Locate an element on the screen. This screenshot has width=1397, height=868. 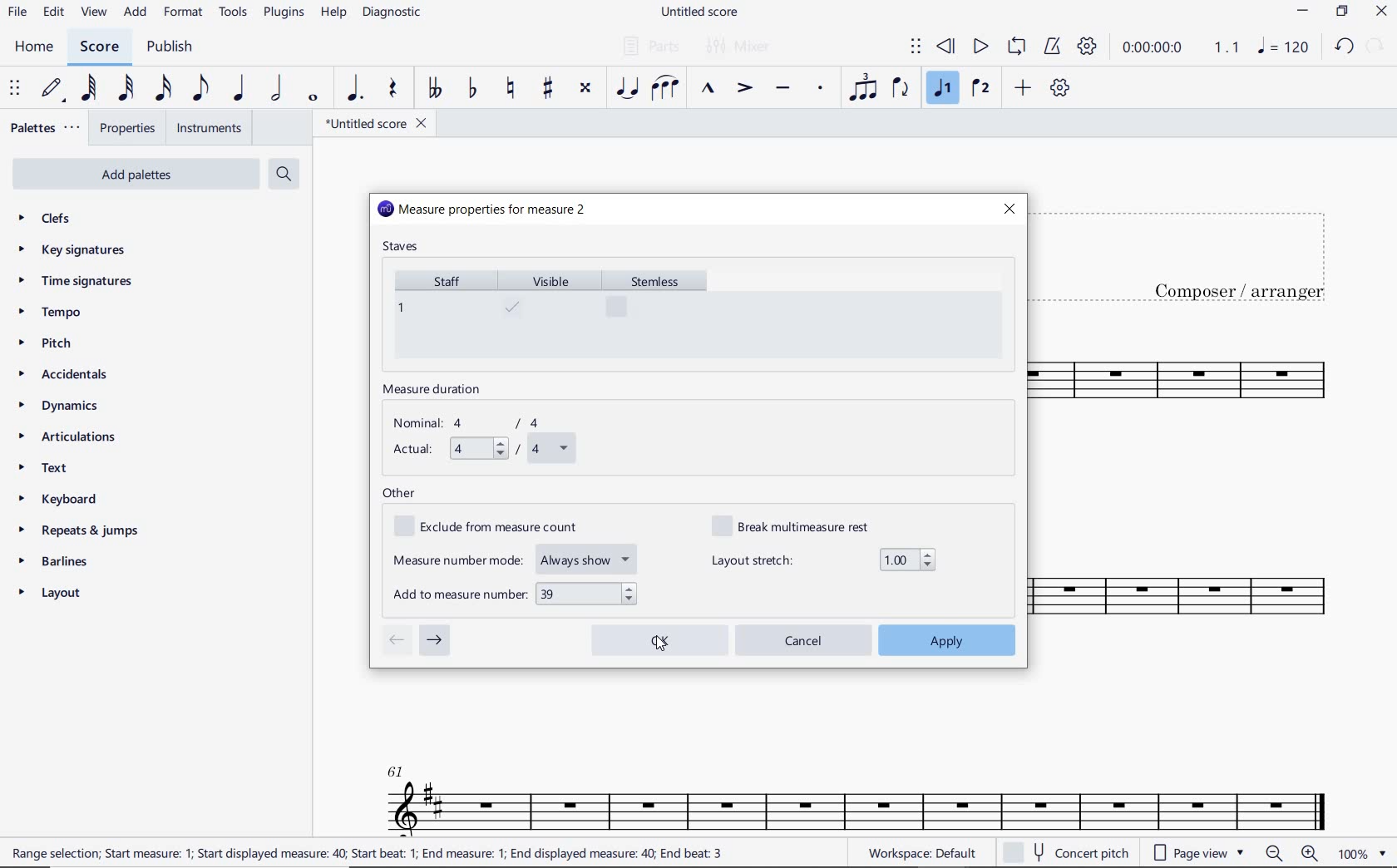
title is located at coordinates (1196, 253).